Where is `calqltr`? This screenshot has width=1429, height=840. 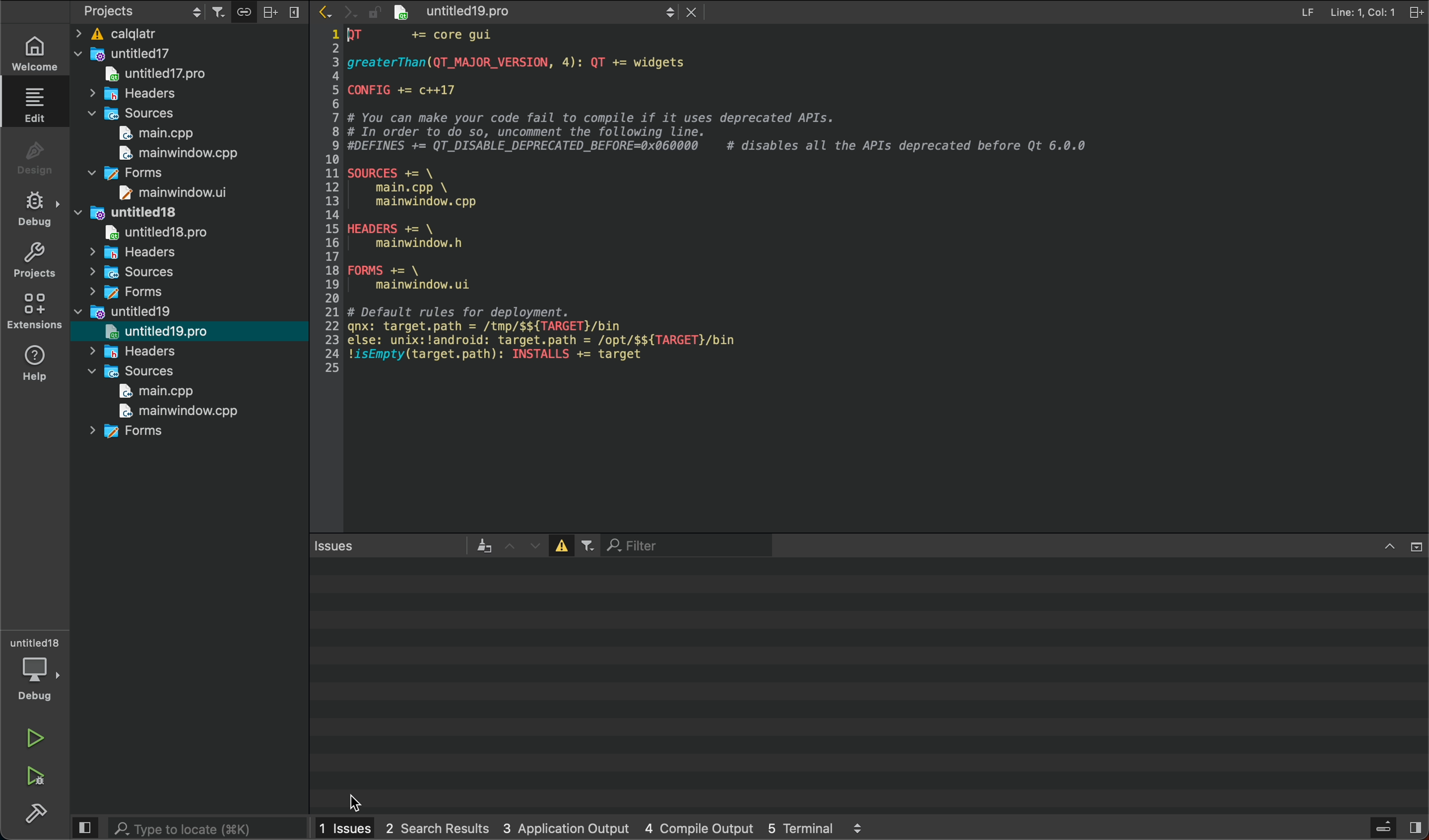 calqltr is located at coordinates (142, 33).